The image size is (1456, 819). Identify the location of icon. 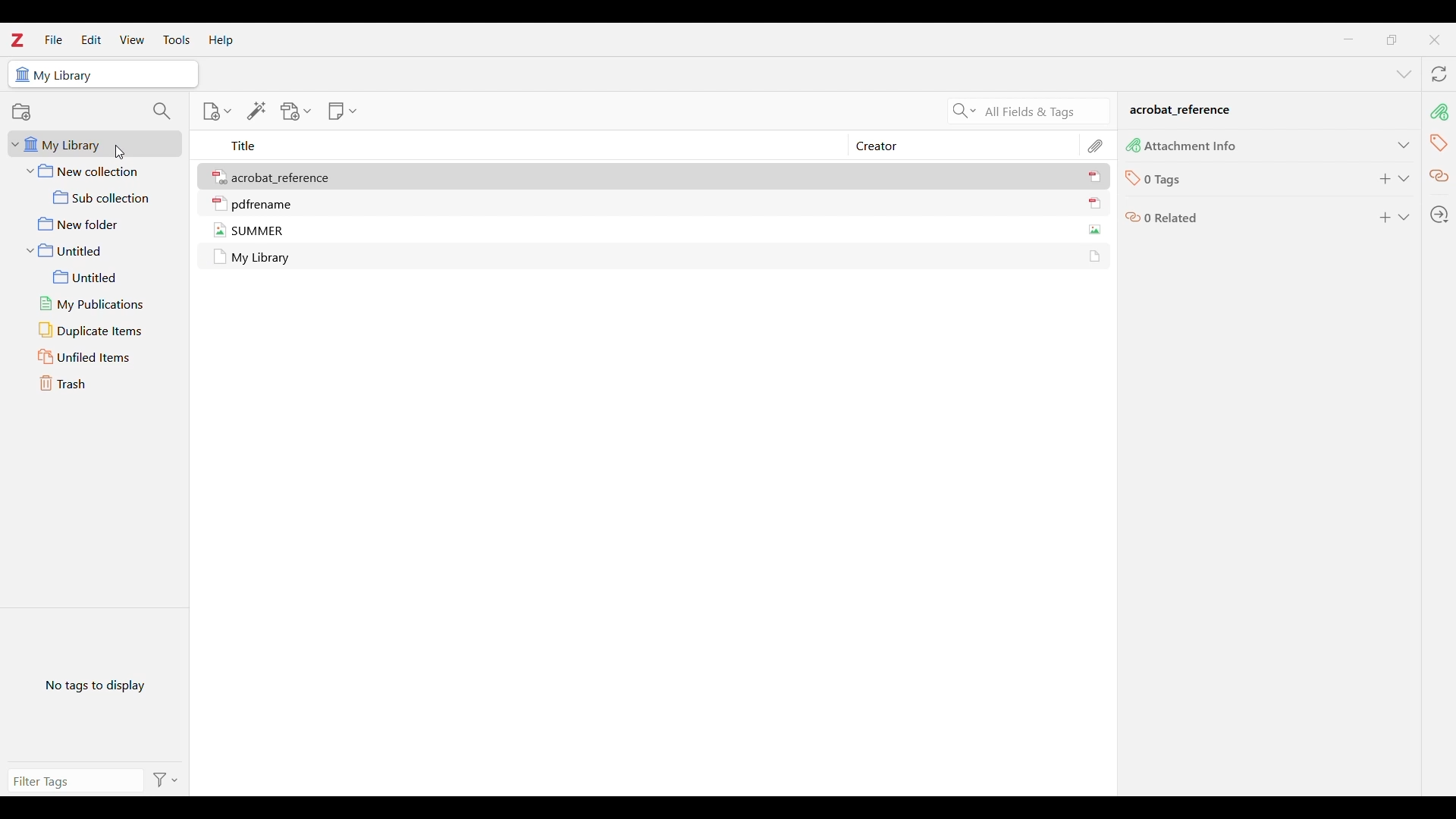
(21, 75).